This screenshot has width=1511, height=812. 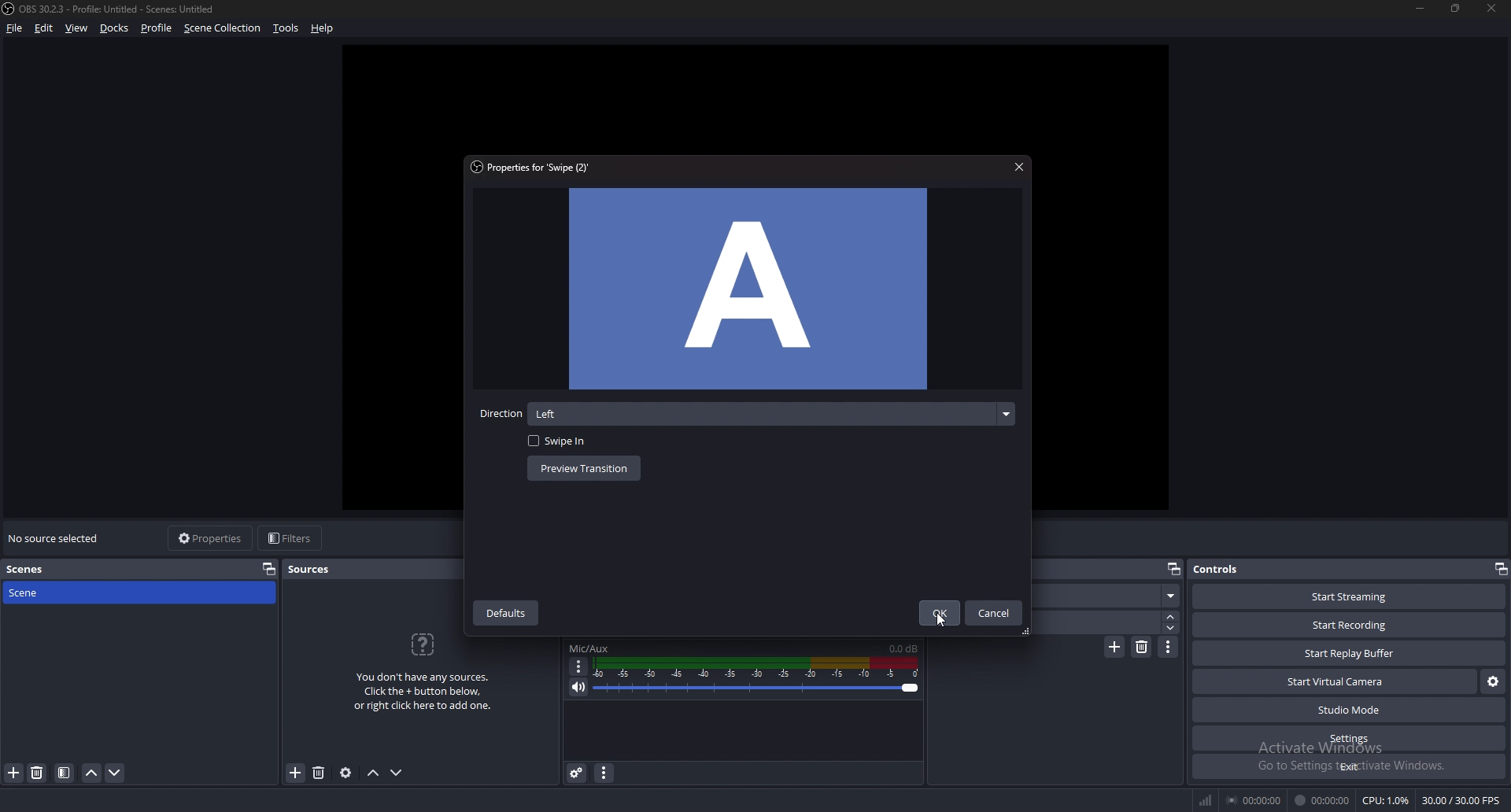 I want to click on view, so click(x=77, y=28).